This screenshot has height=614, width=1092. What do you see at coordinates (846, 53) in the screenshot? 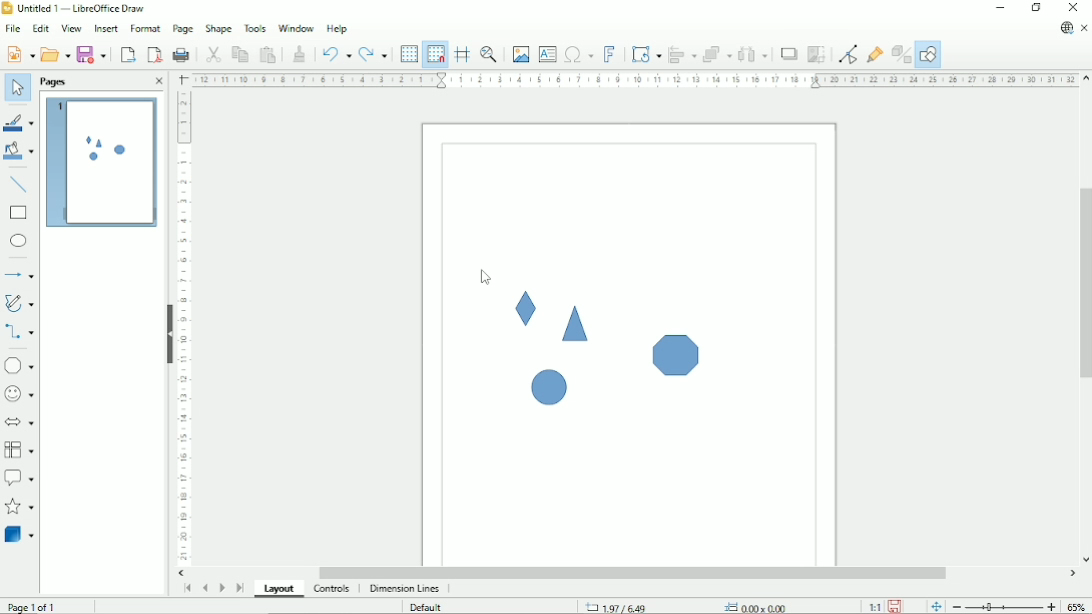
I see `Toggle point edit mode` at bounding box center [846, 53].